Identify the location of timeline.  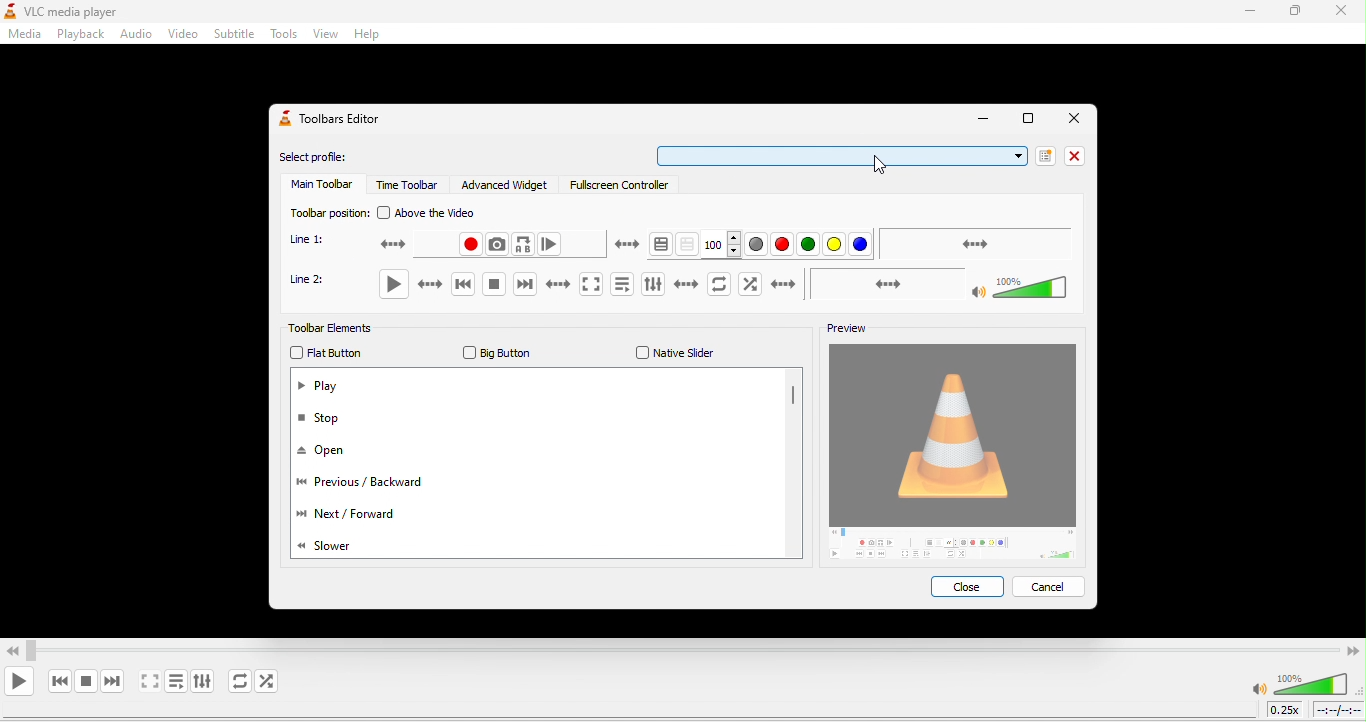
(1339, 712).